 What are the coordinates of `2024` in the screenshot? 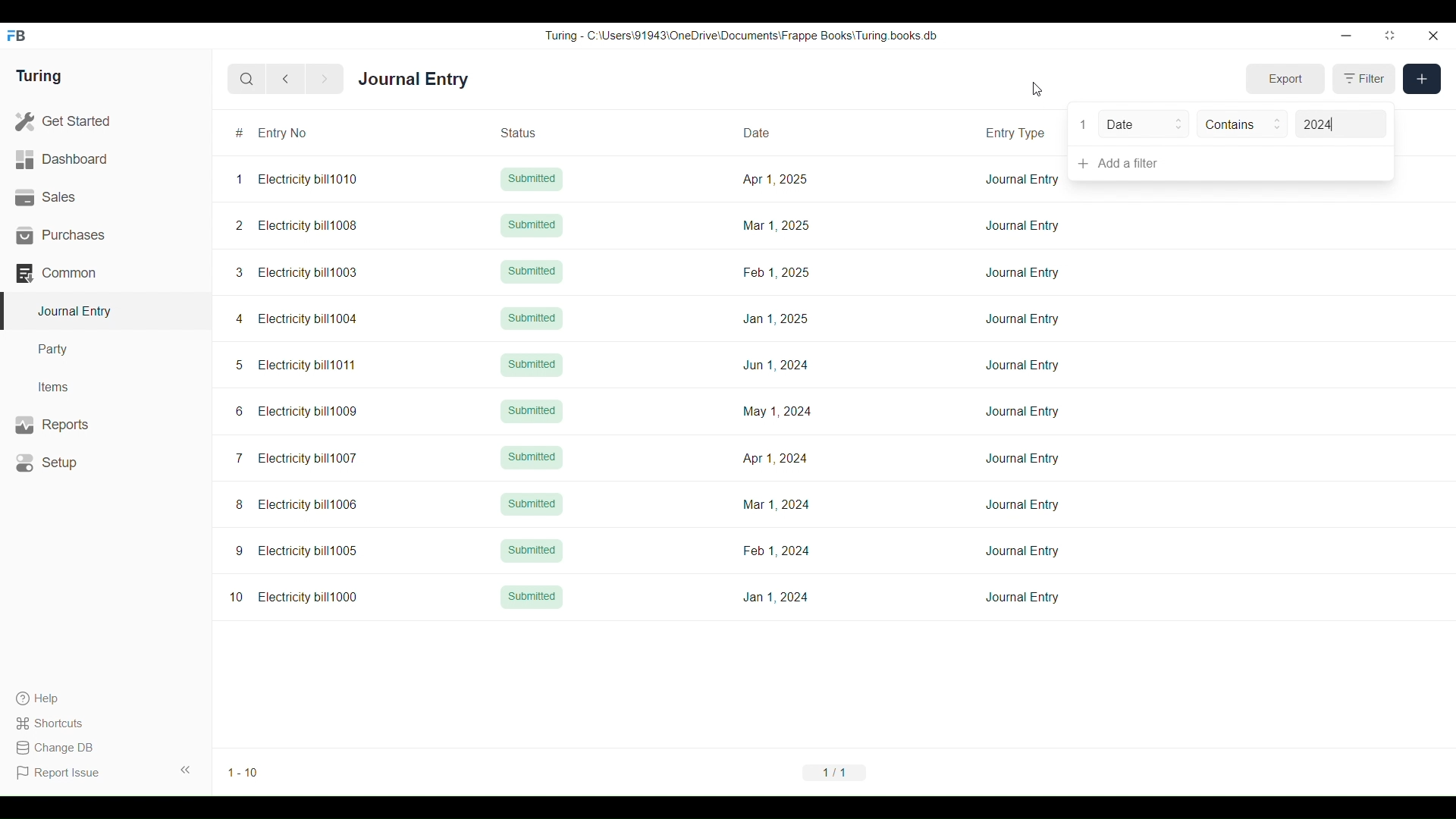 It's located at (1318, 124).